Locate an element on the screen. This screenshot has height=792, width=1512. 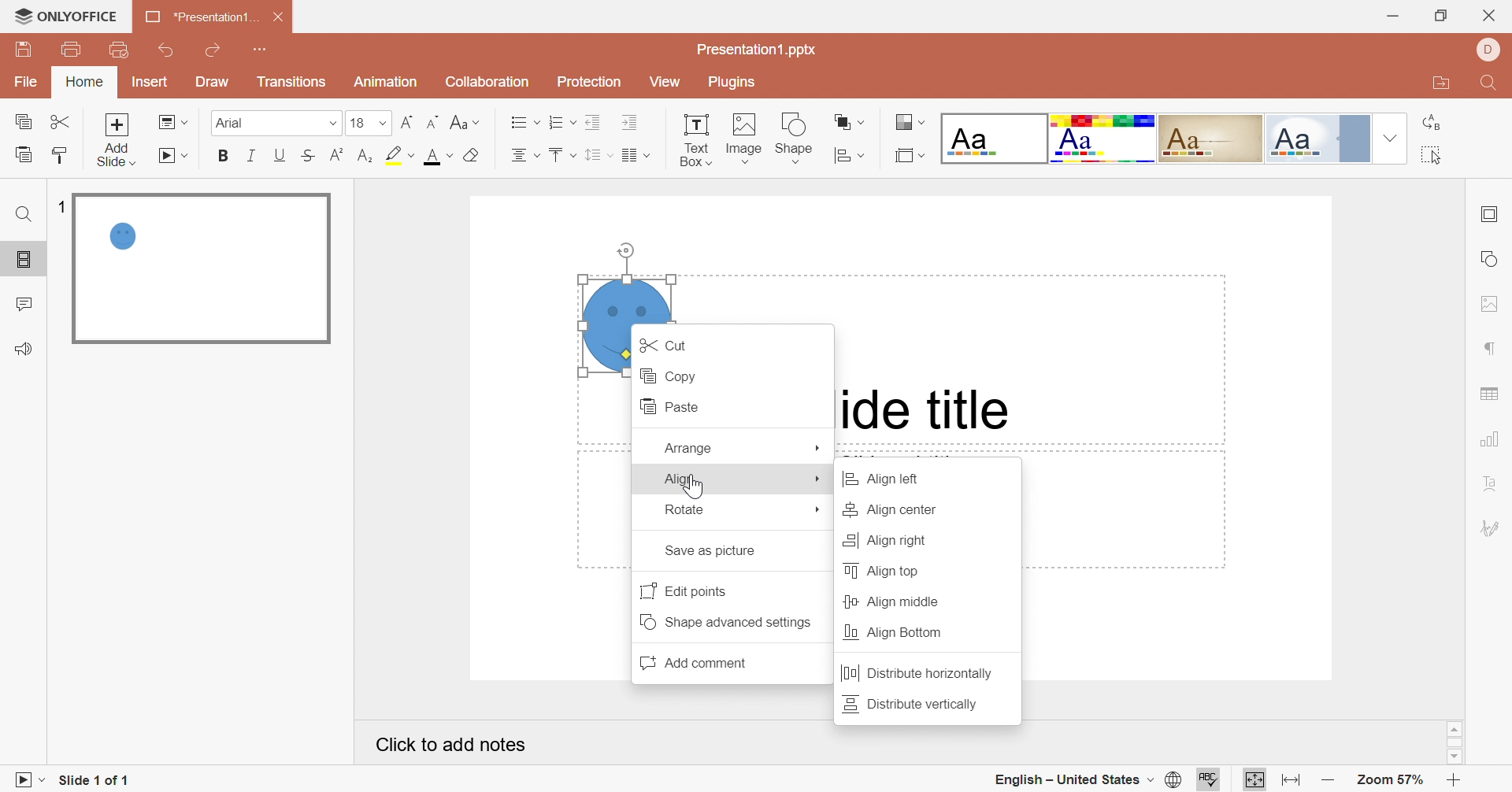
More is located at coordinates (819, 512).